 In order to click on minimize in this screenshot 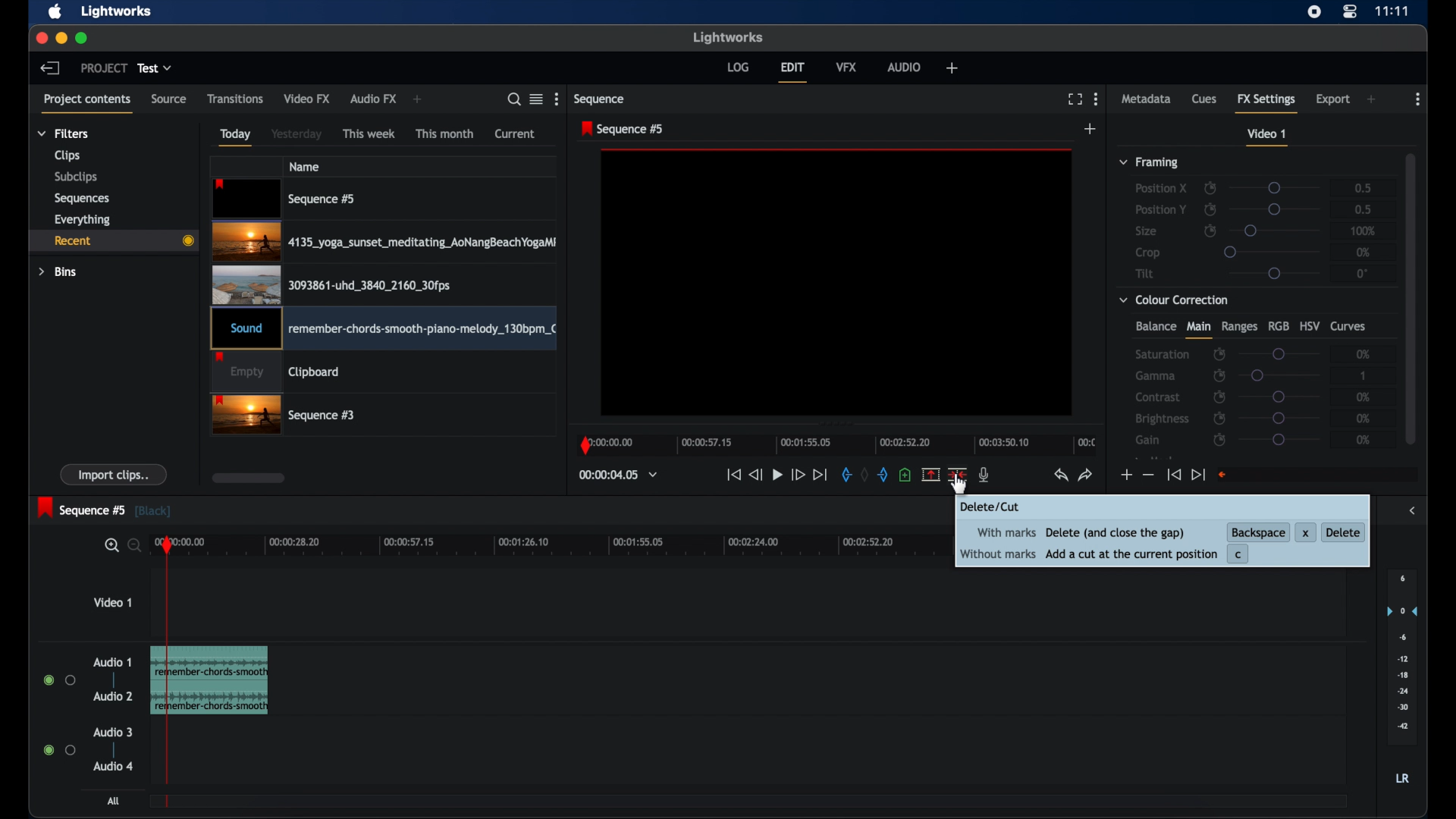, I will do `click(61, 39)`.